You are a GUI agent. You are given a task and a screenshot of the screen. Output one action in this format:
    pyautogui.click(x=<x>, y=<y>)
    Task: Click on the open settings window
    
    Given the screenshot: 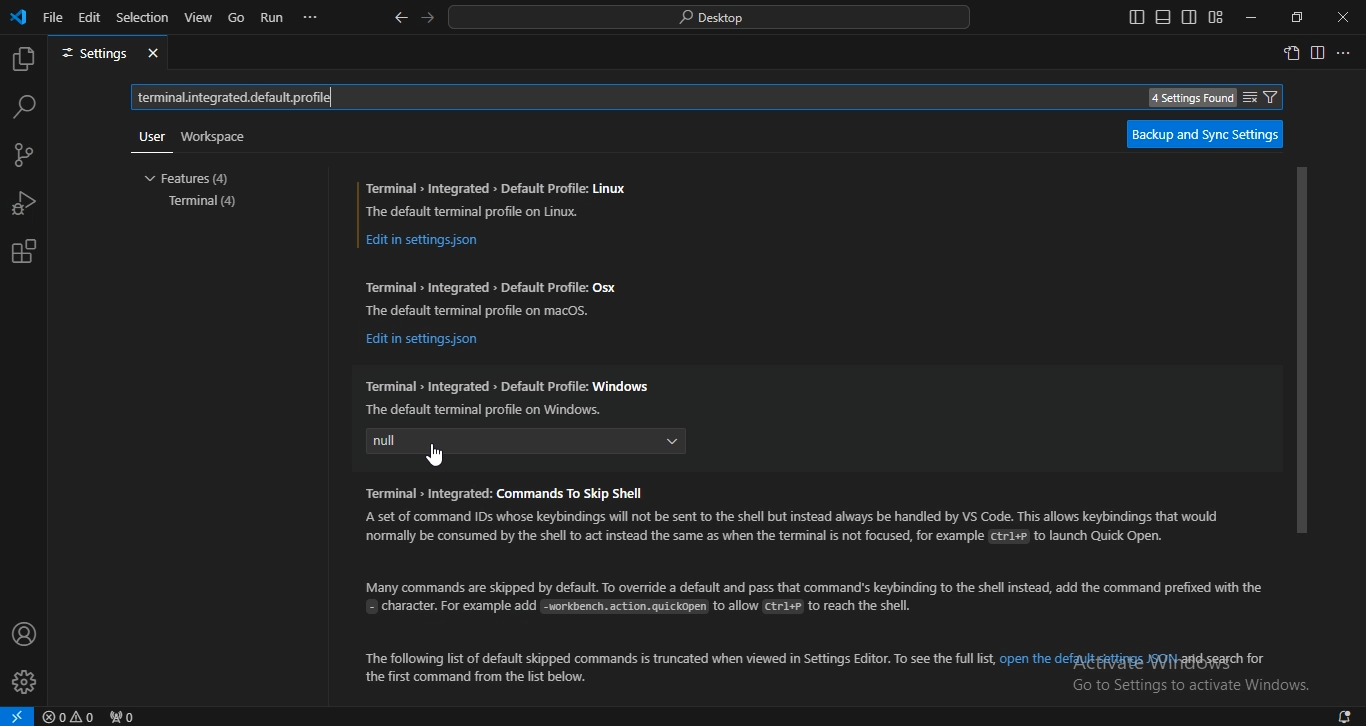 What is the action you would take?
    pyautogui.click(x=1291, y=53)
    